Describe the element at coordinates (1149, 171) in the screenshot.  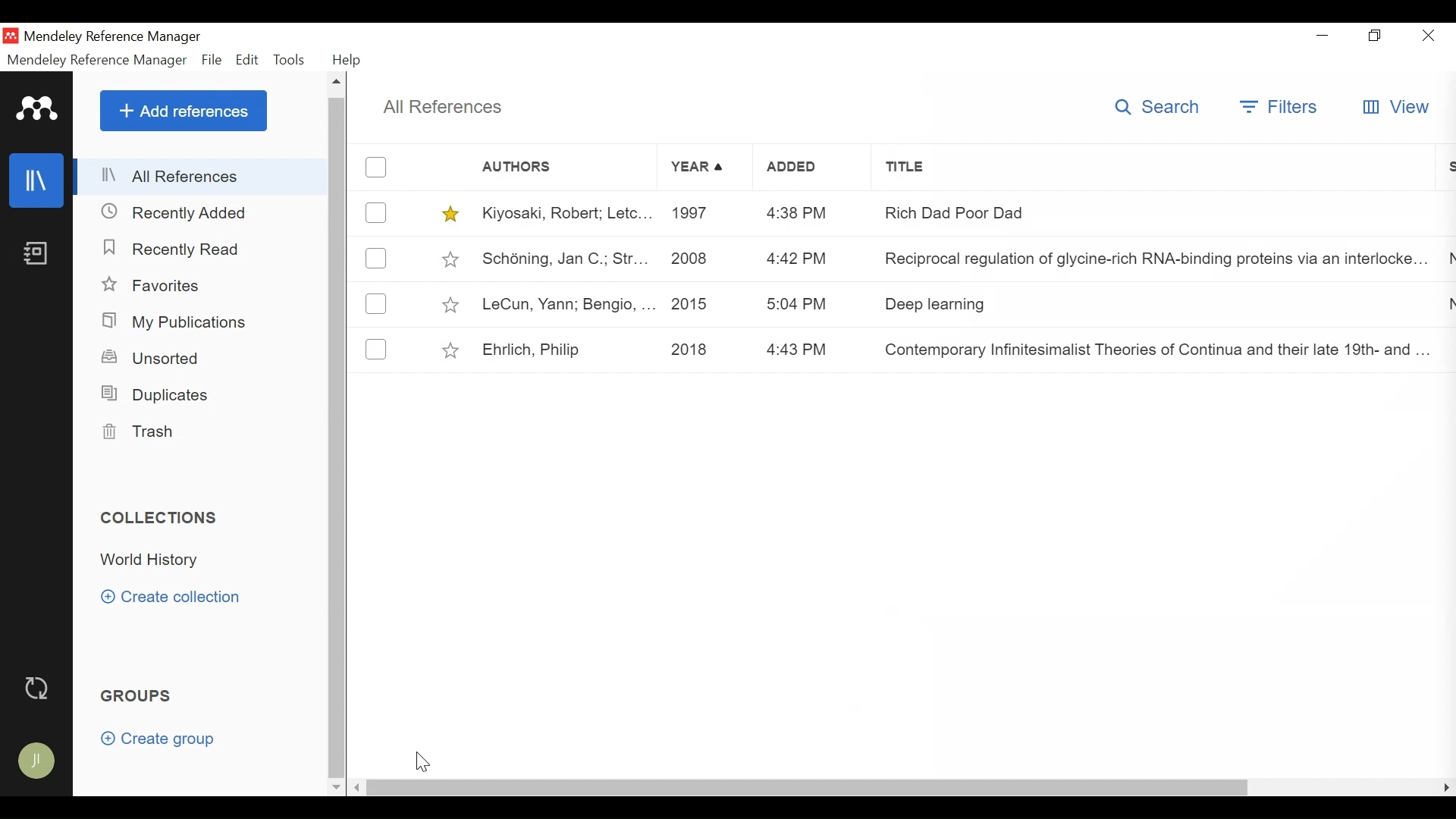
I see `Title` at that location.